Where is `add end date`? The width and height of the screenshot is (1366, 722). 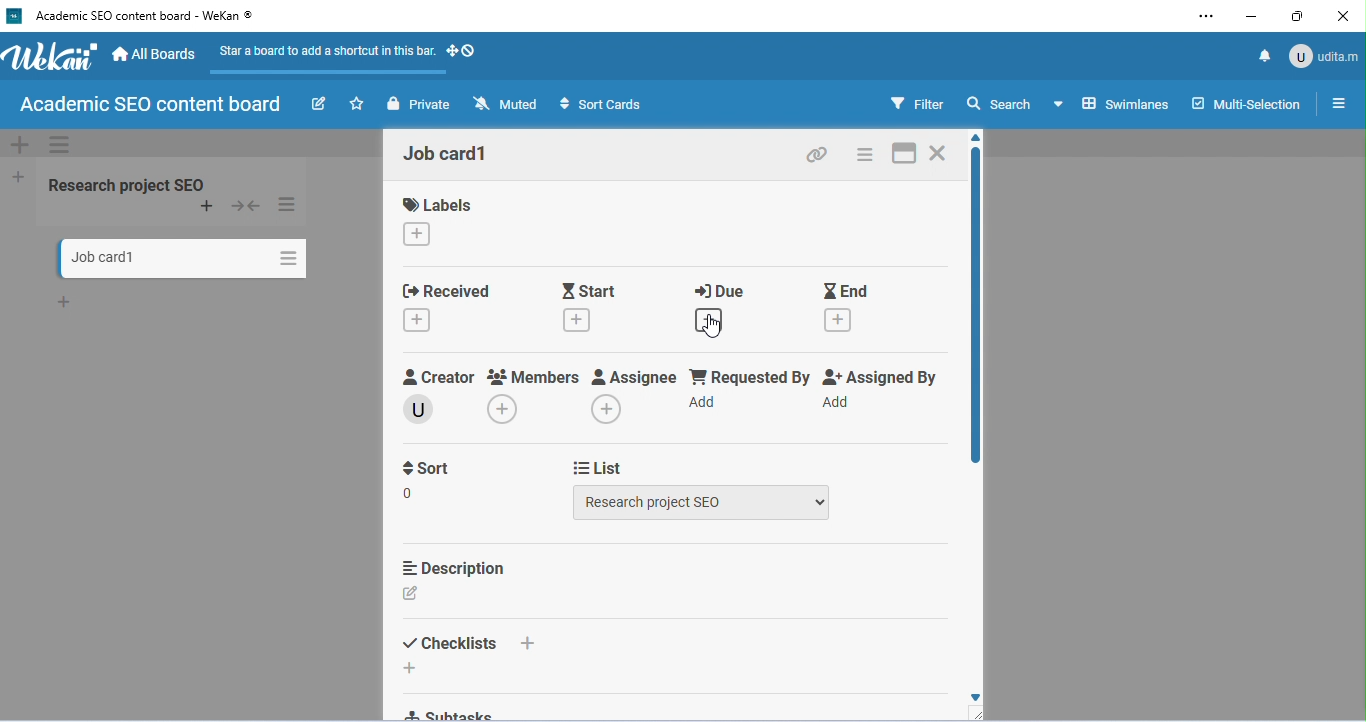 add end date is located at coordinates (840, 320).